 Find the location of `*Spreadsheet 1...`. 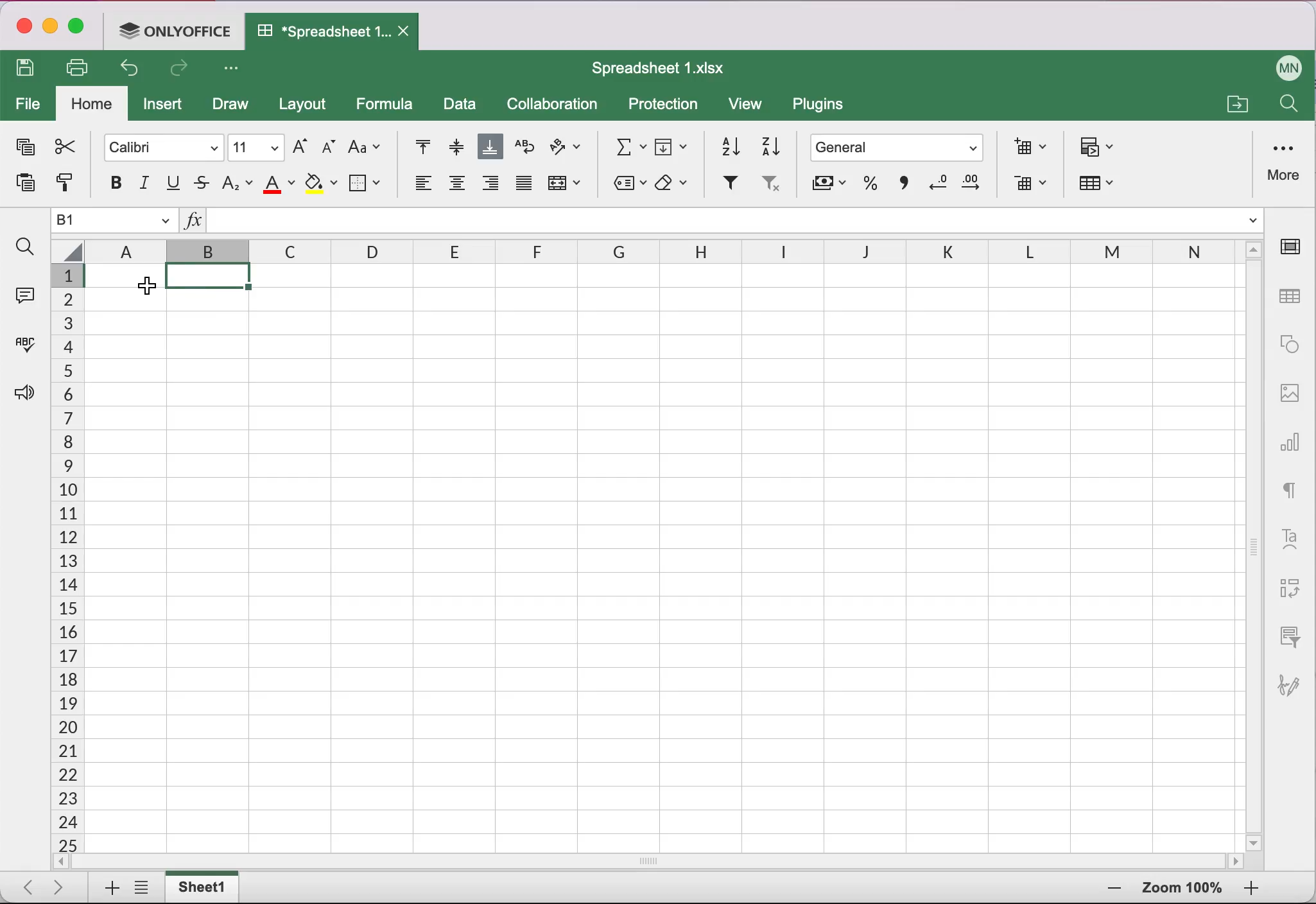

*Spreadsheet 1... is located at coordinates (318, 31).